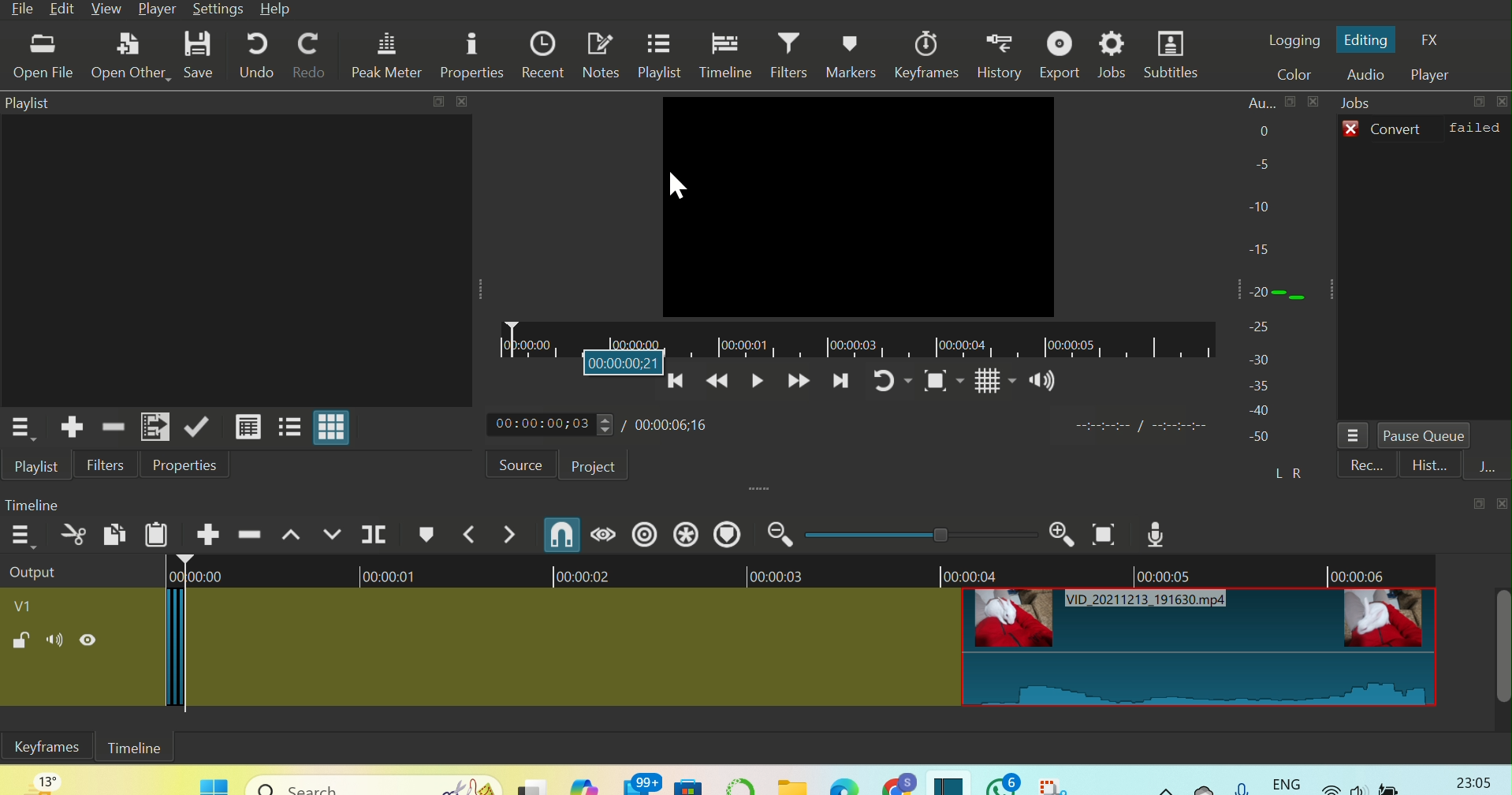 This screenshot has width=1512, height=795. What do you see at coordinates (943, 383) in the screenshot?
I see `Snap` at bounding box center [943, 383].